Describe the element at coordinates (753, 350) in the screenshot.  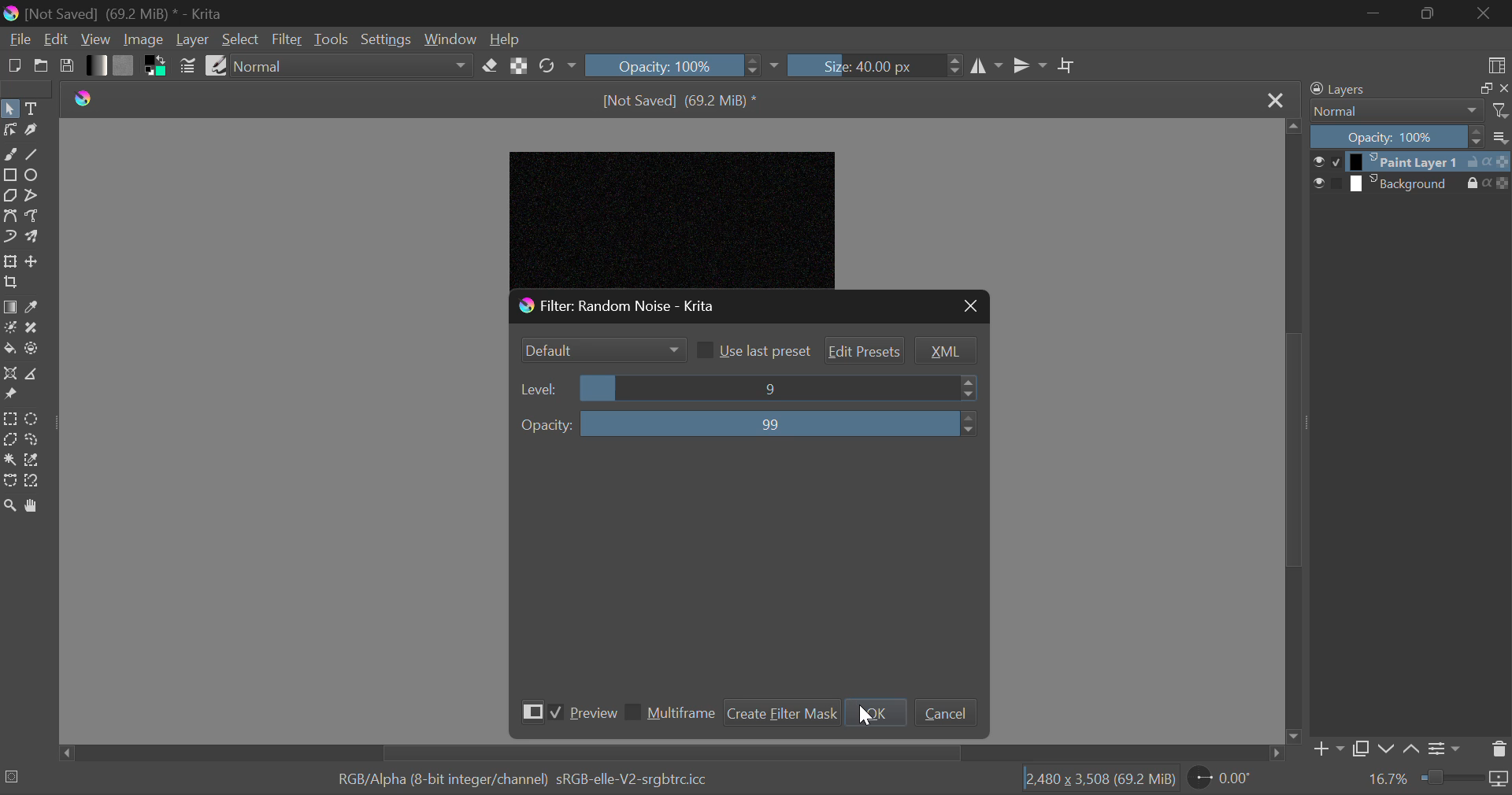
I see `Use last preset checkbox` at that location.